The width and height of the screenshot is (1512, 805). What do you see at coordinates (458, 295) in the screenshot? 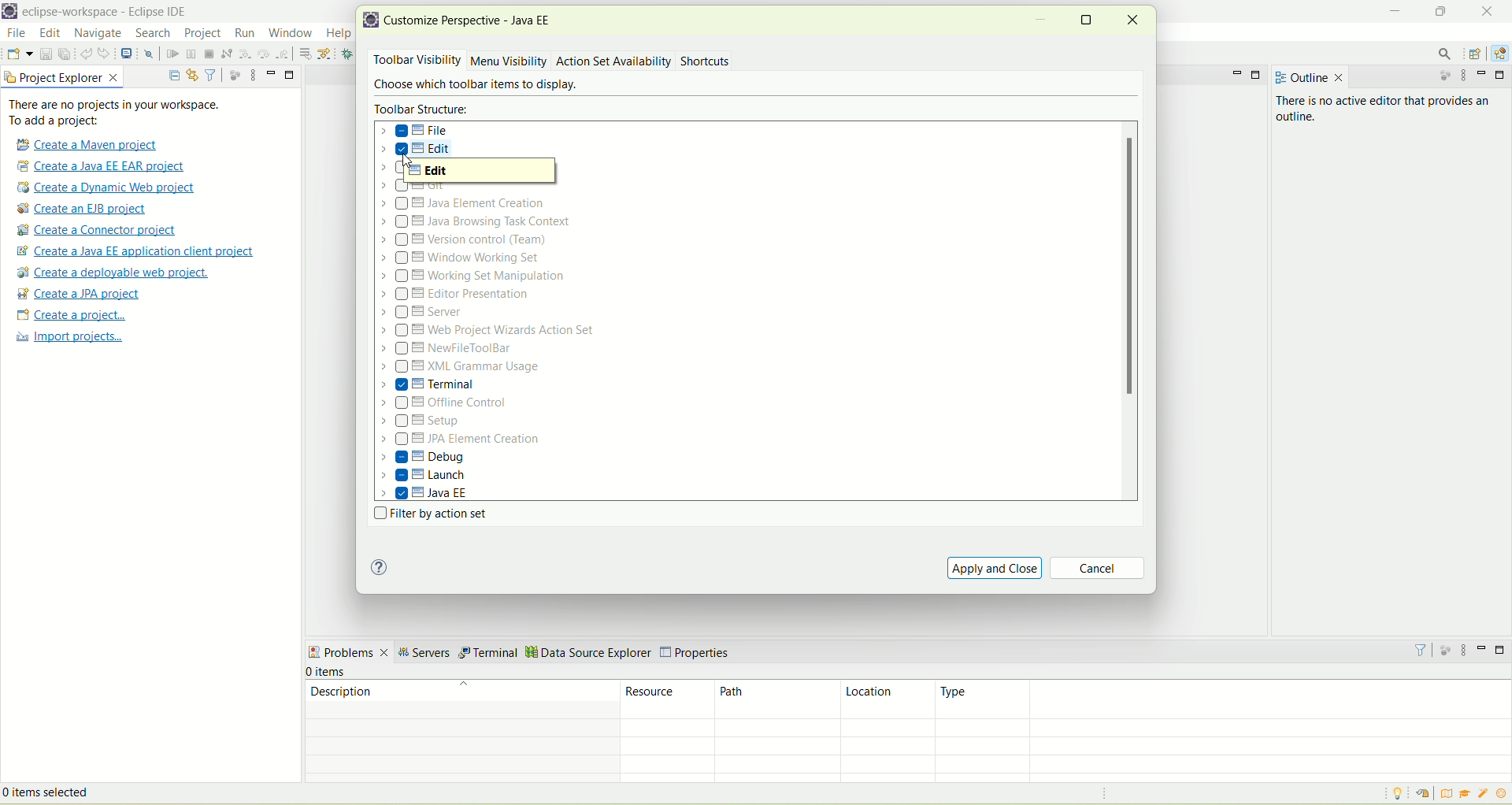
I see `editor presentation` at bounding box center [458, 295].